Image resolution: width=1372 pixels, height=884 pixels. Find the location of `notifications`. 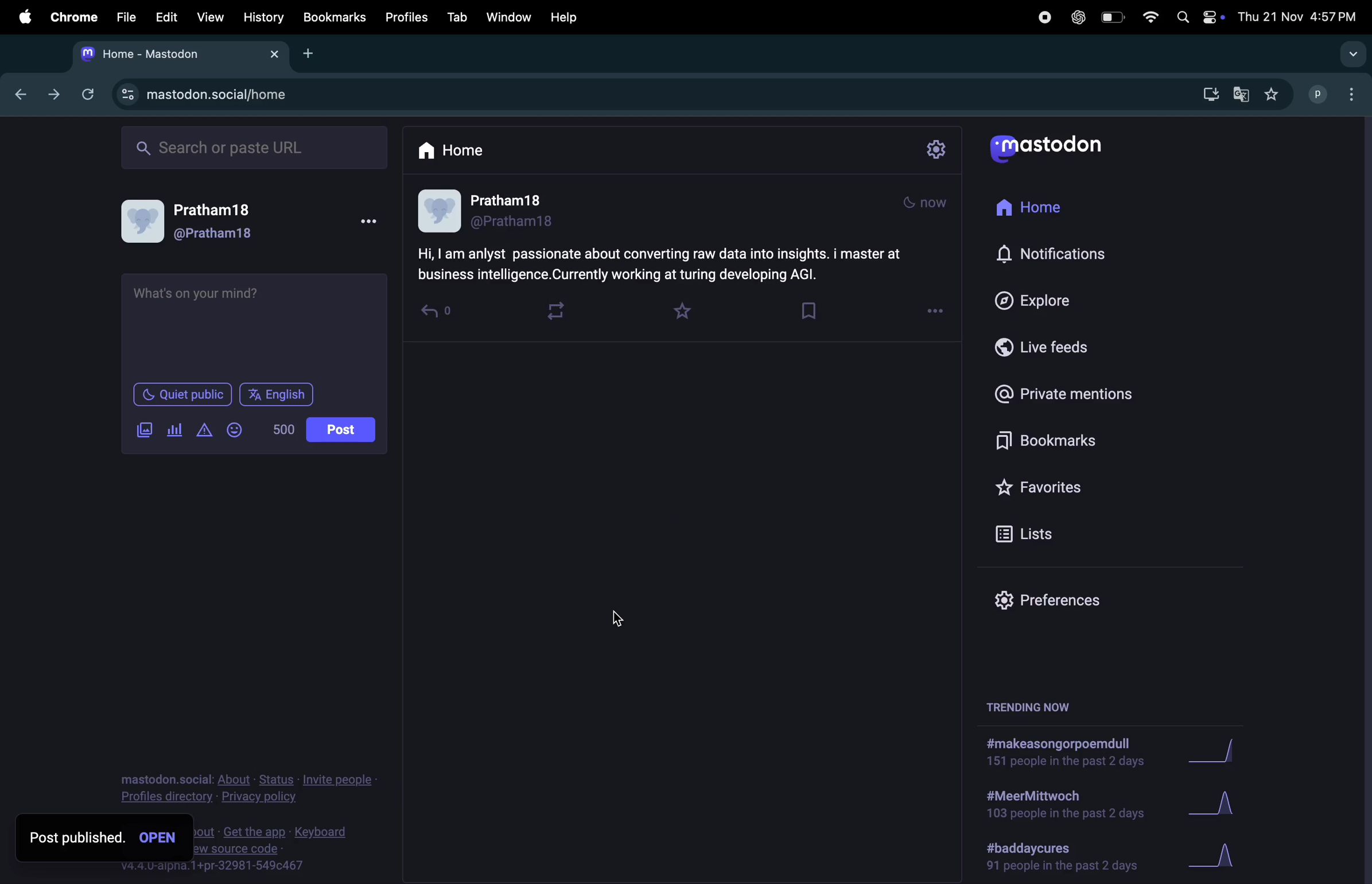

notifications is located at coordinates (1055, 254).